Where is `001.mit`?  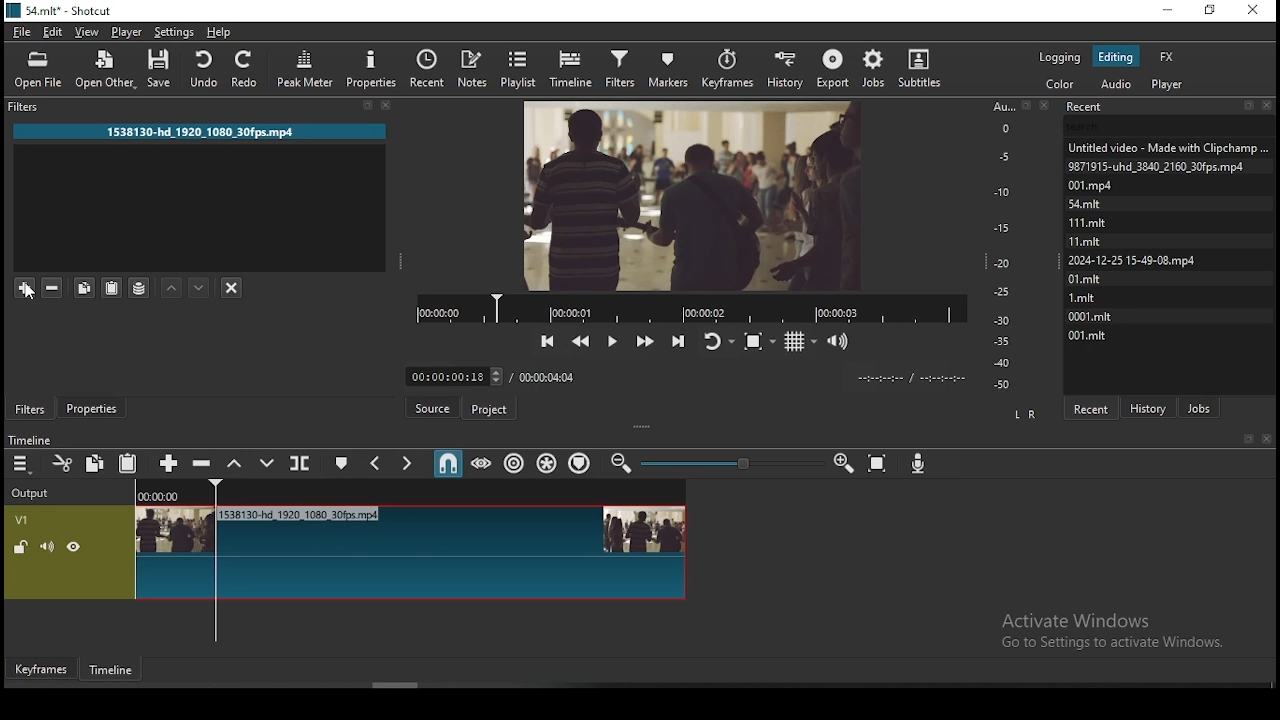
001.mit is located at coordinates (1088, 334).